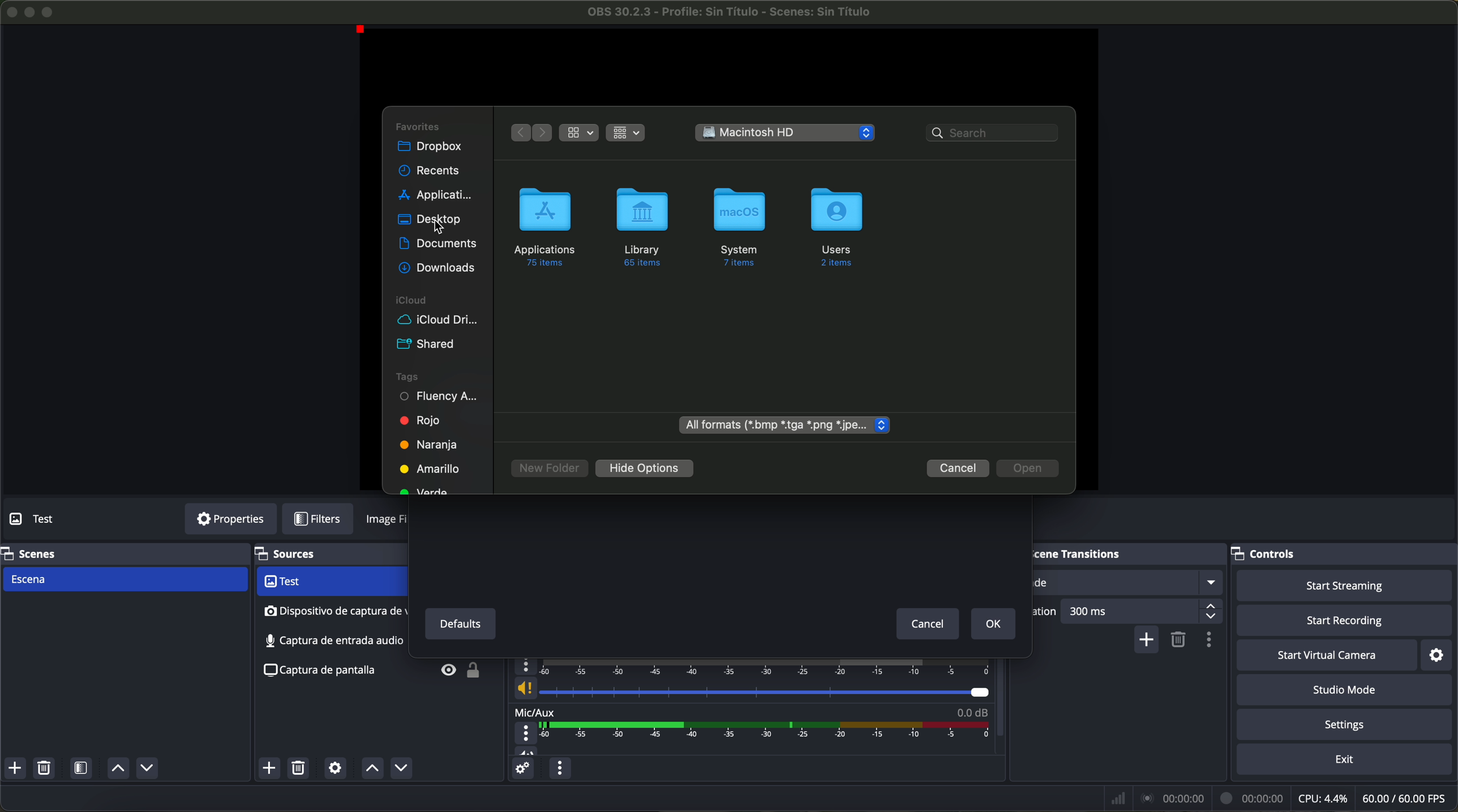 The width and height of the screenshot is (1458, 812). What do you see at coordinates (958, 469) in the screenshot?
I see `cancel button` at bounding box center [958, 469].